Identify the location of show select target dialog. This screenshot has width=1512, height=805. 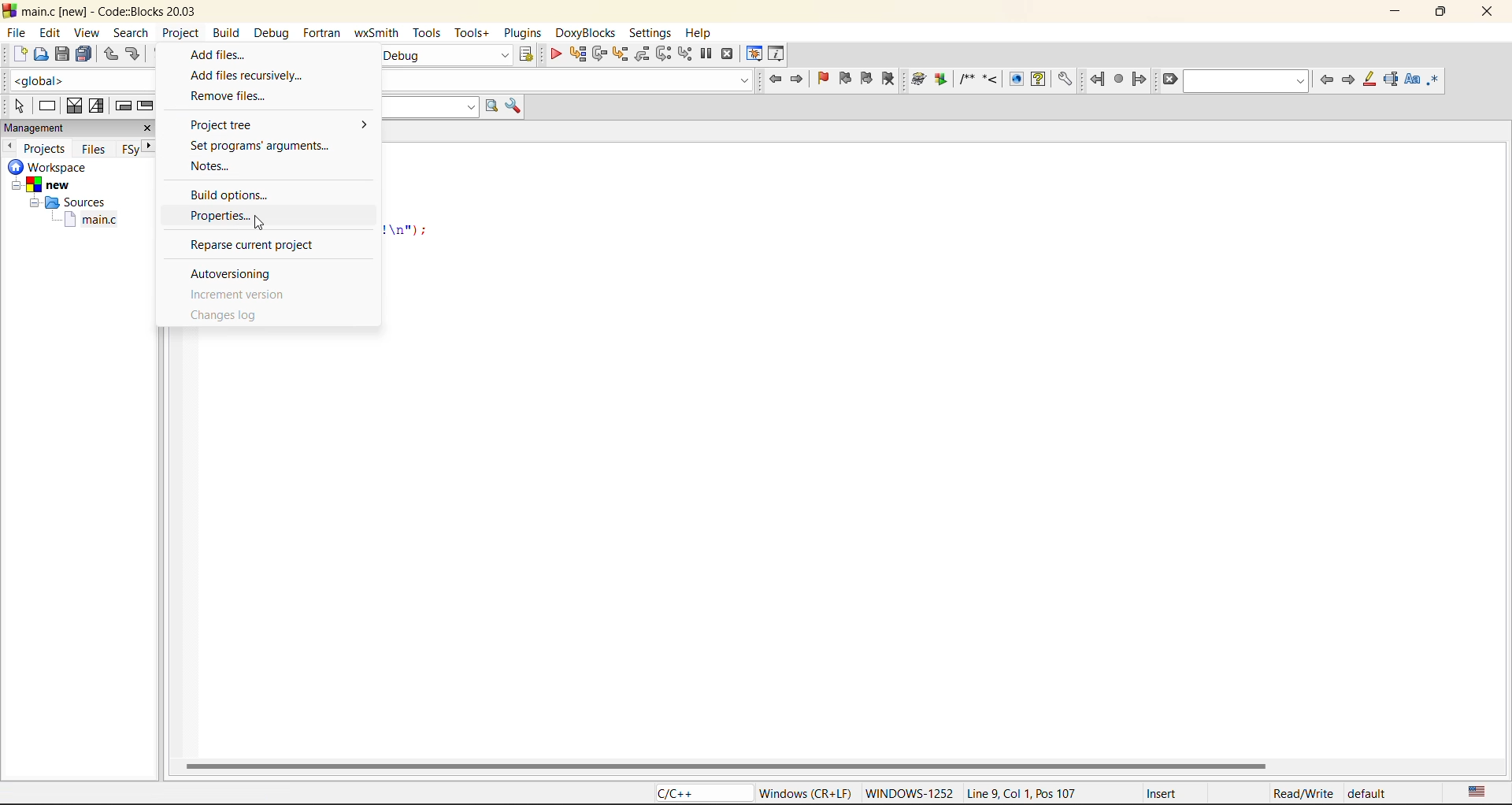
(528, 55).